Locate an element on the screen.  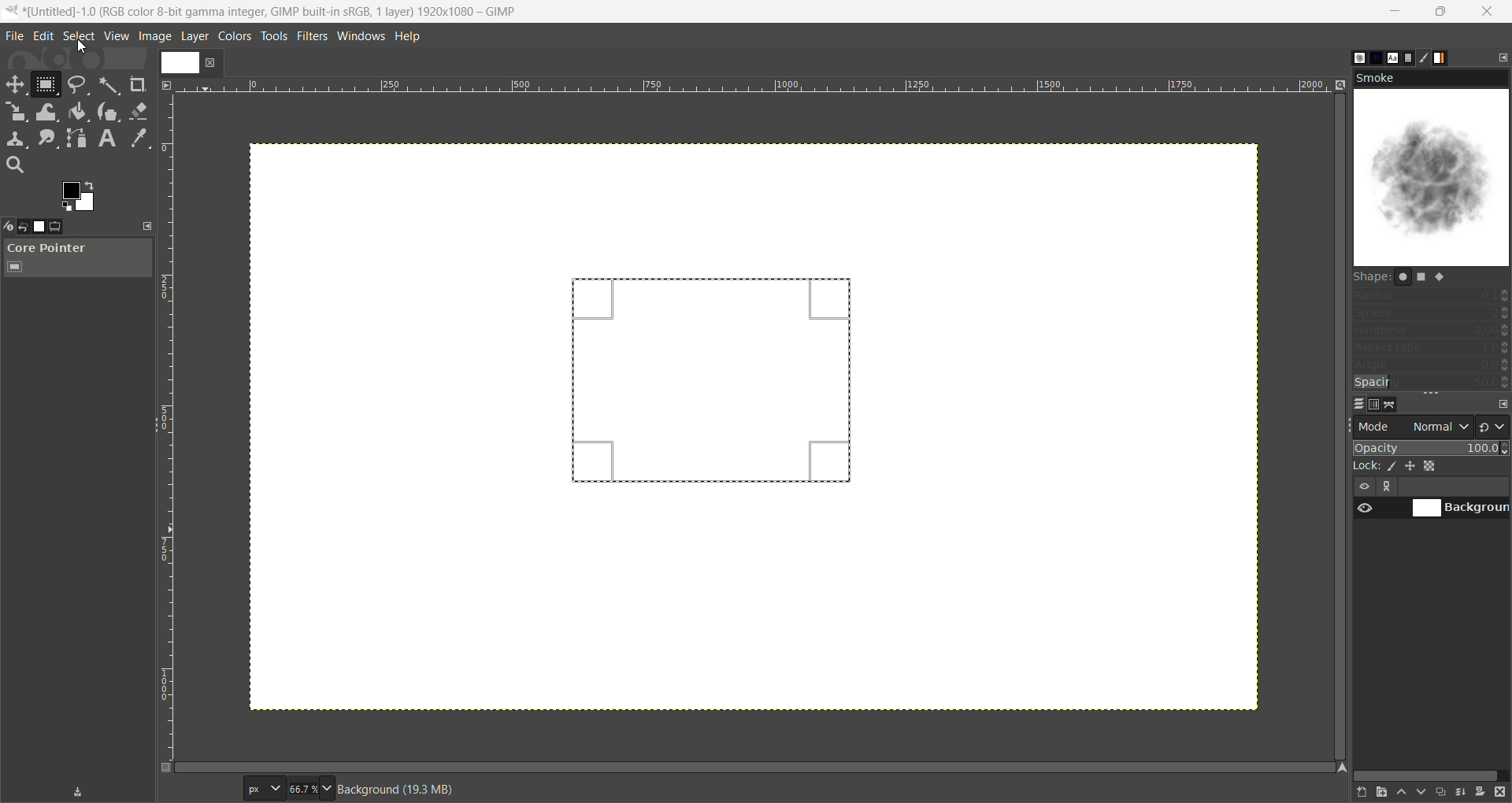
opacity is located at coordinates (1430, 447).